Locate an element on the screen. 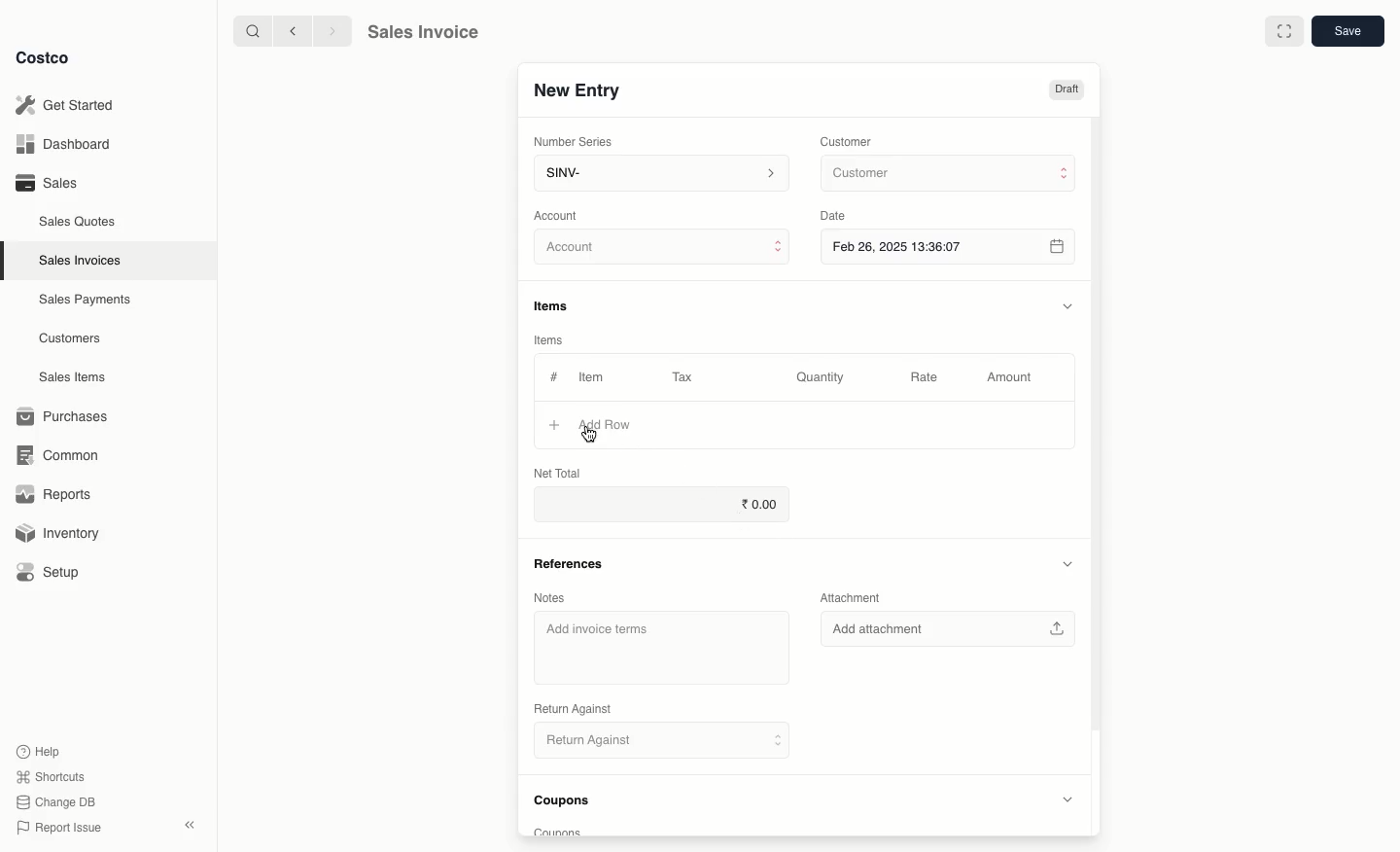 The image size is (1400, 852). Add is located at coordinates (552, 423).